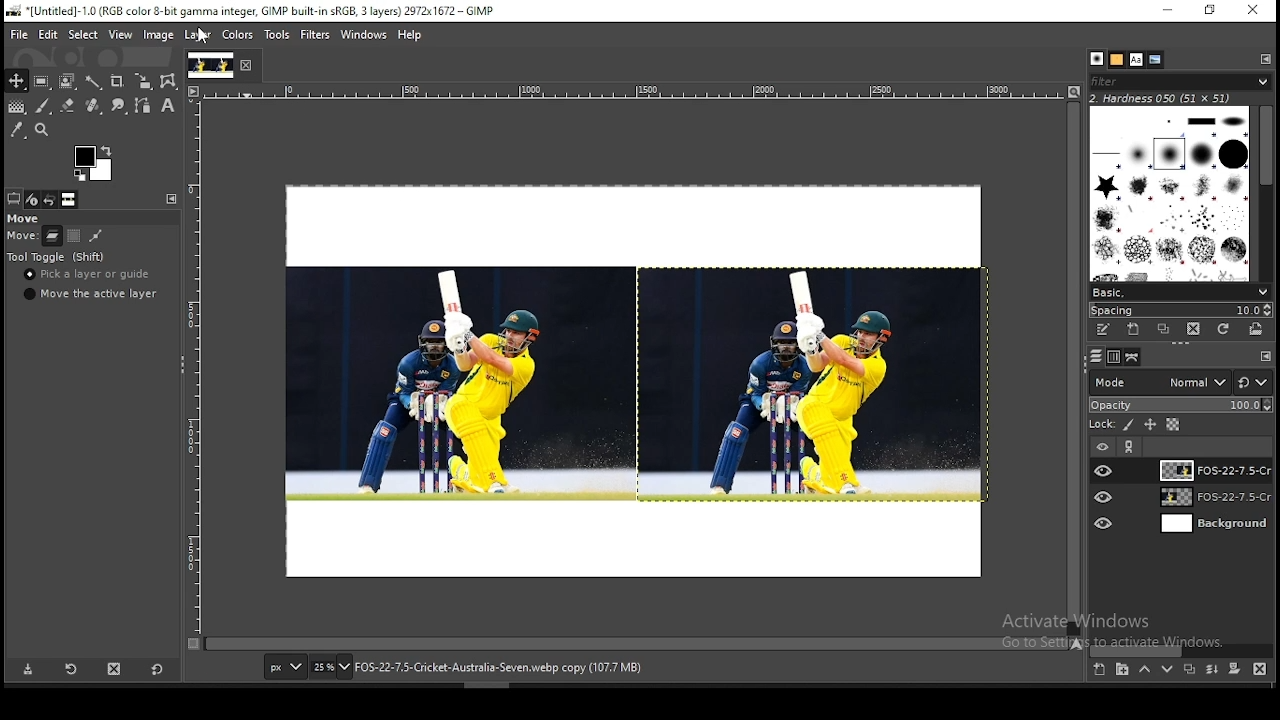 The image size is (1280, 720). What do you see at coordinates (1131, 447) in the screenshot?
I see `tool` at bounding box center [1131, 447].